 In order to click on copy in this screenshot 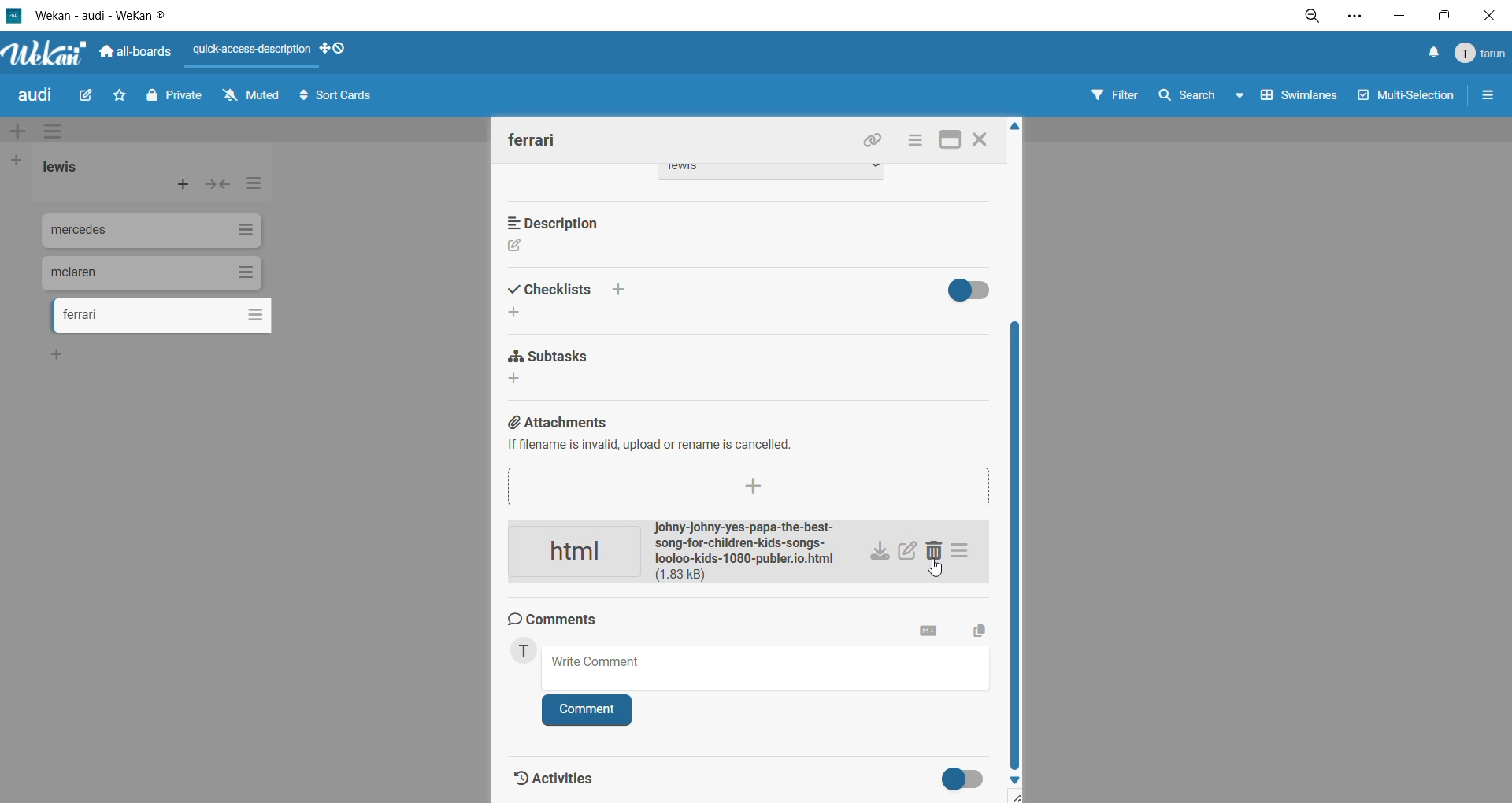, I will do `click(977, 628)`.